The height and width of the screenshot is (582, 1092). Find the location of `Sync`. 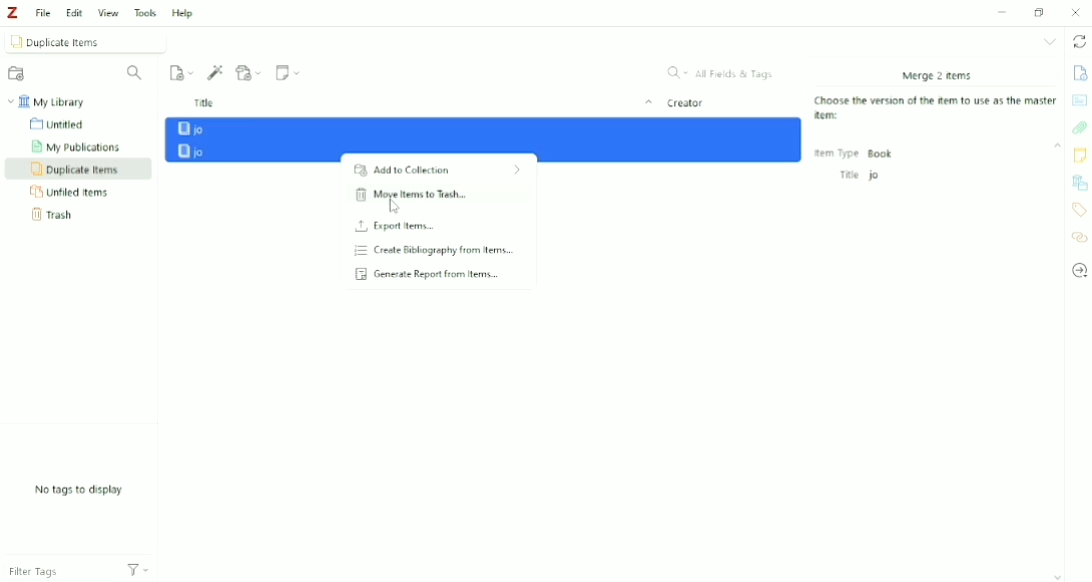

Sync is located at coordinates (1080, 42).